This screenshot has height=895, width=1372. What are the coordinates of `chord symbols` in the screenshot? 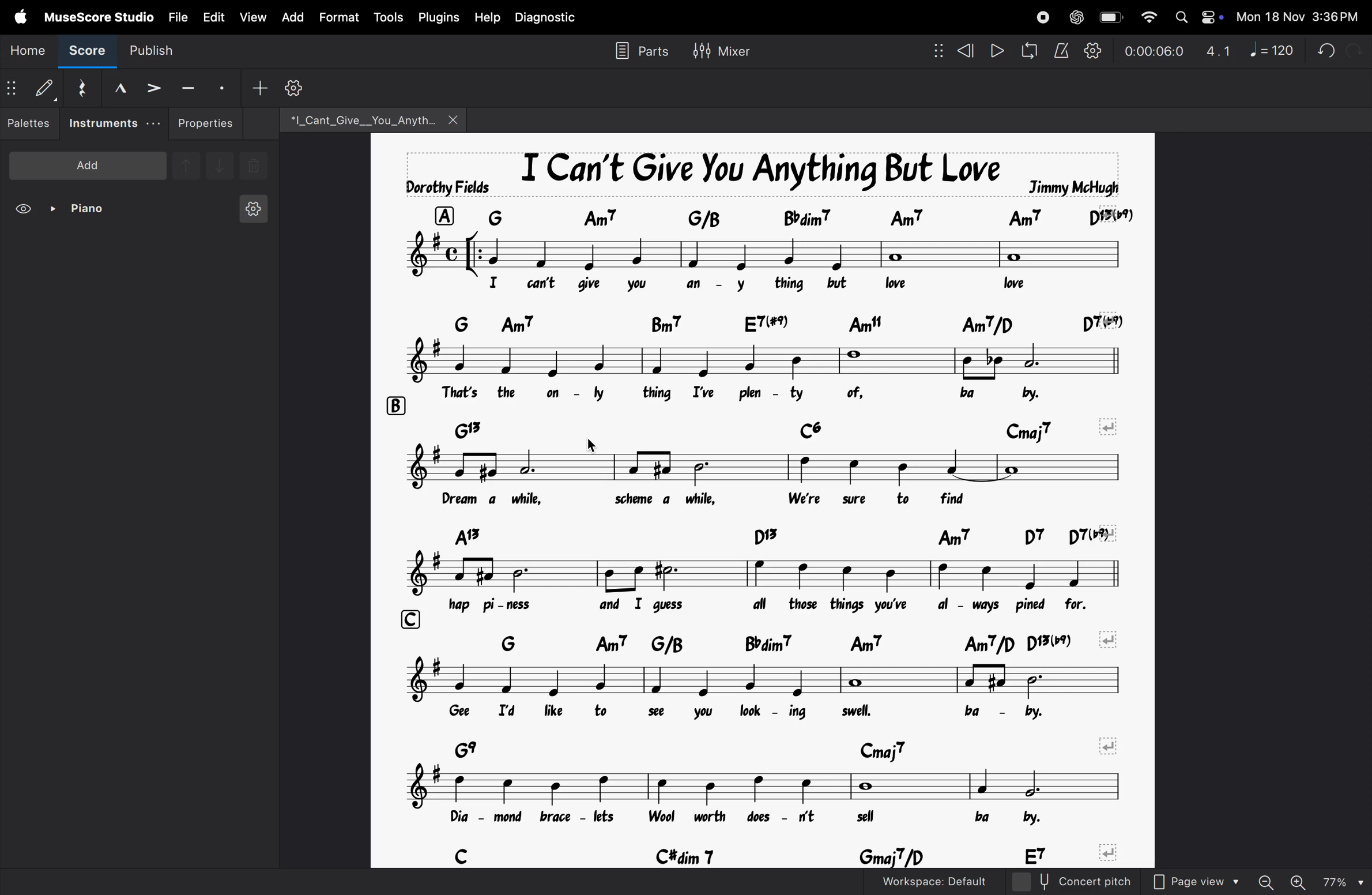 It's located at (783, 426).